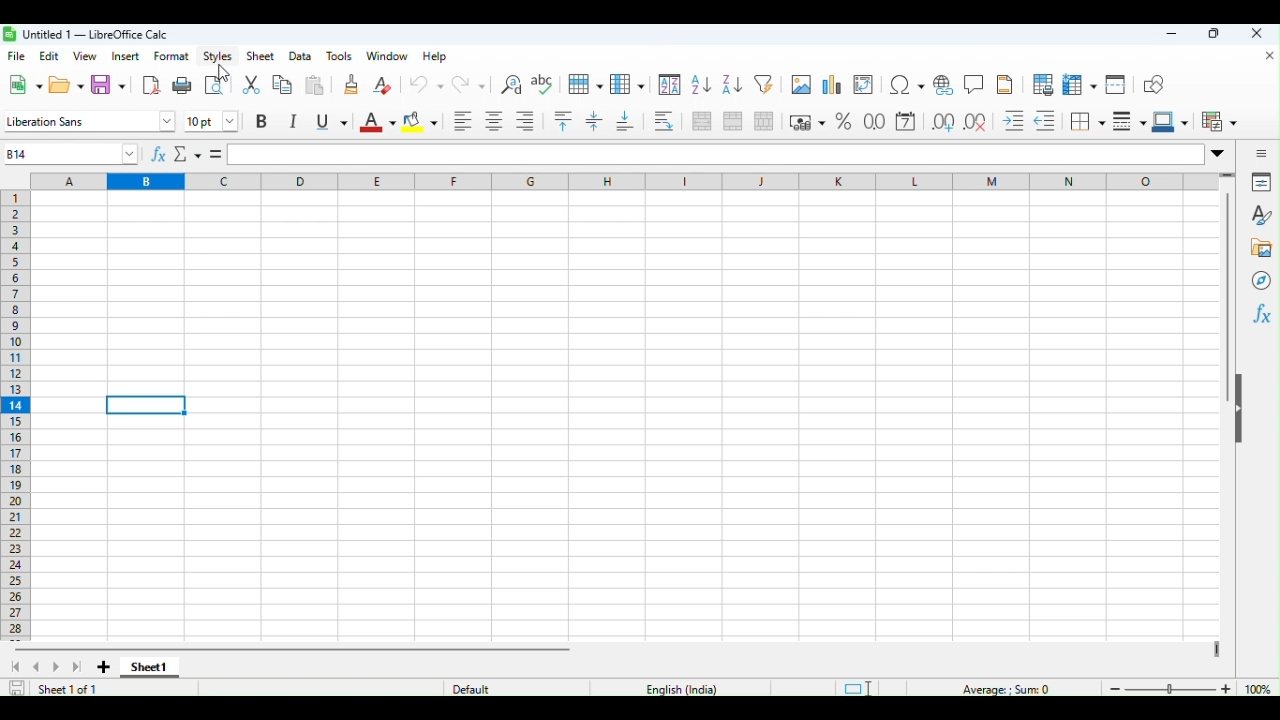  I want to click on Sheet, so click(262, 55).